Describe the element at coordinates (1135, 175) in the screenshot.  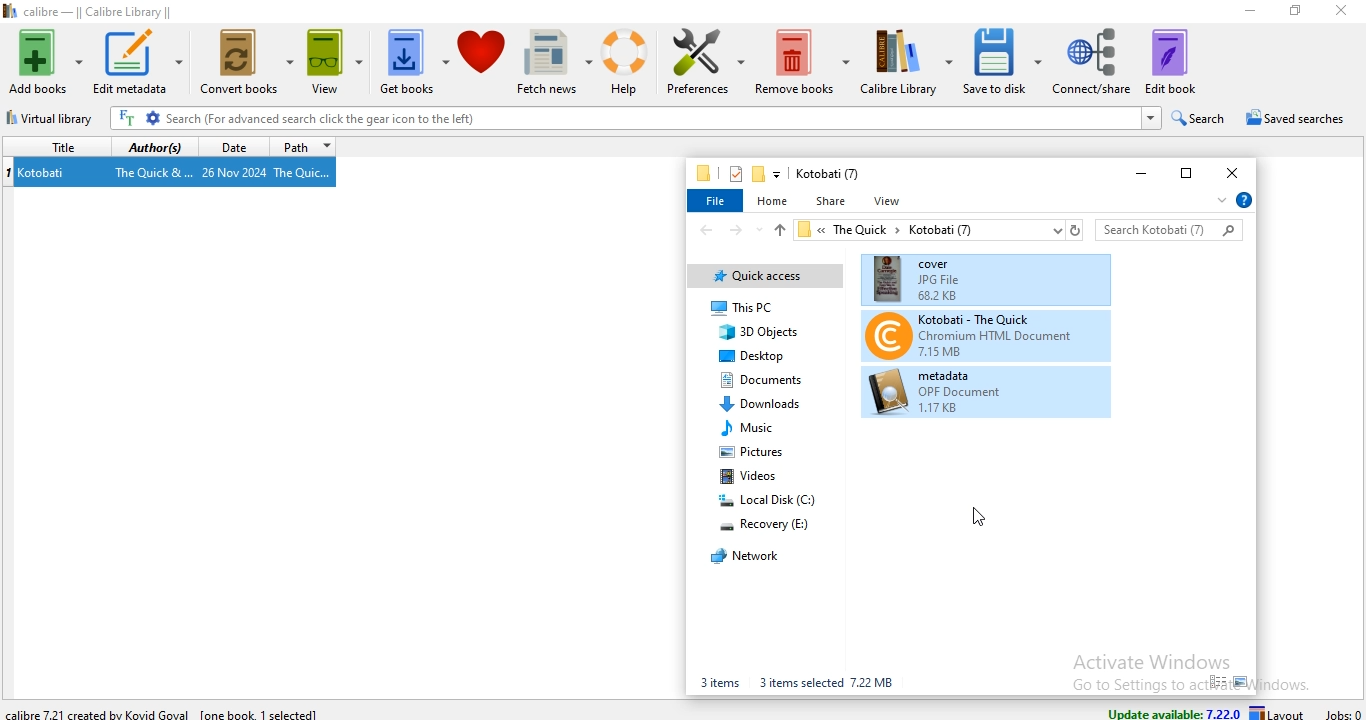
I see `minimise` at that location.